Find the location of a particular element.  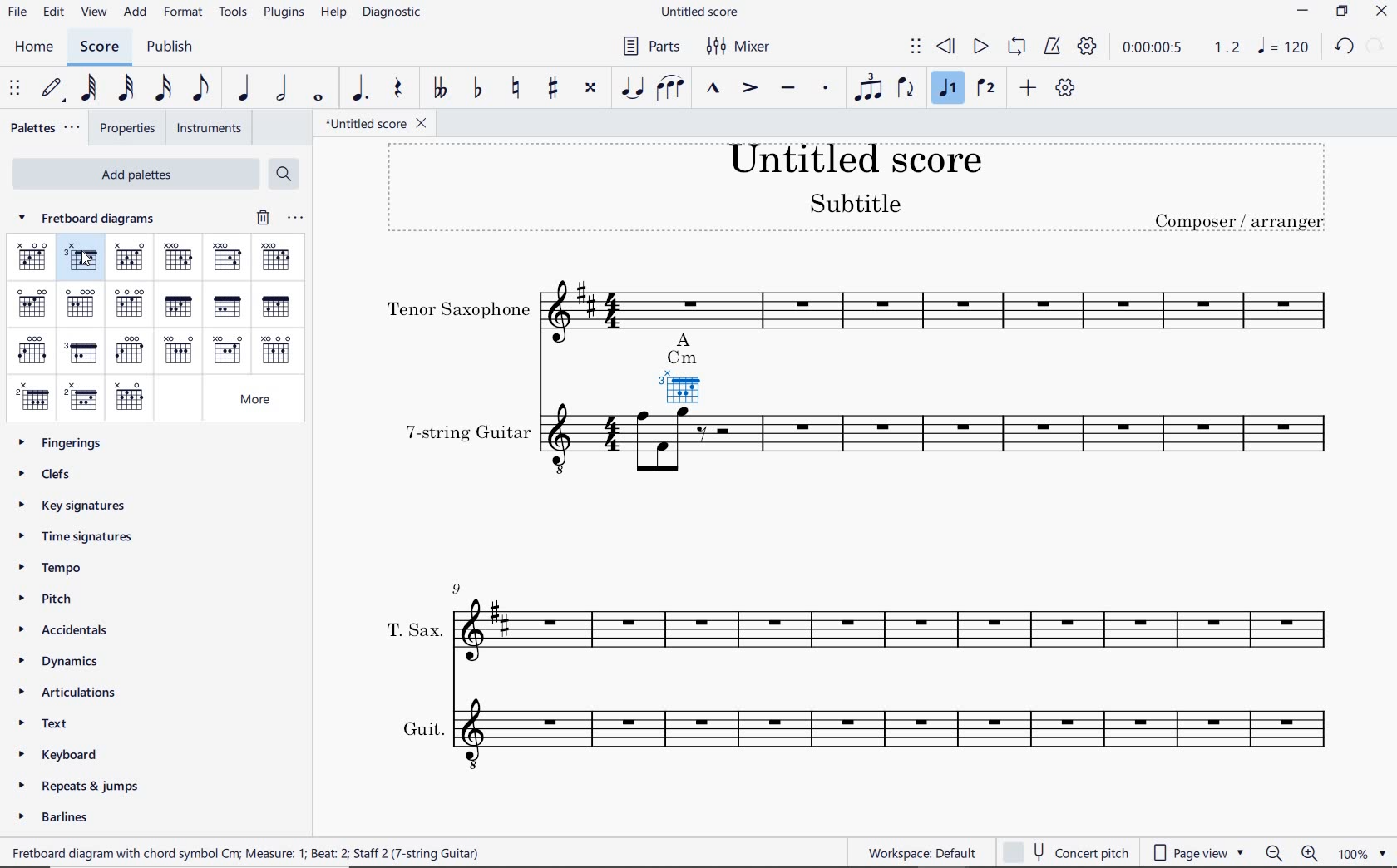

SELECT TO MOVE is located at coordinates (916, 47).